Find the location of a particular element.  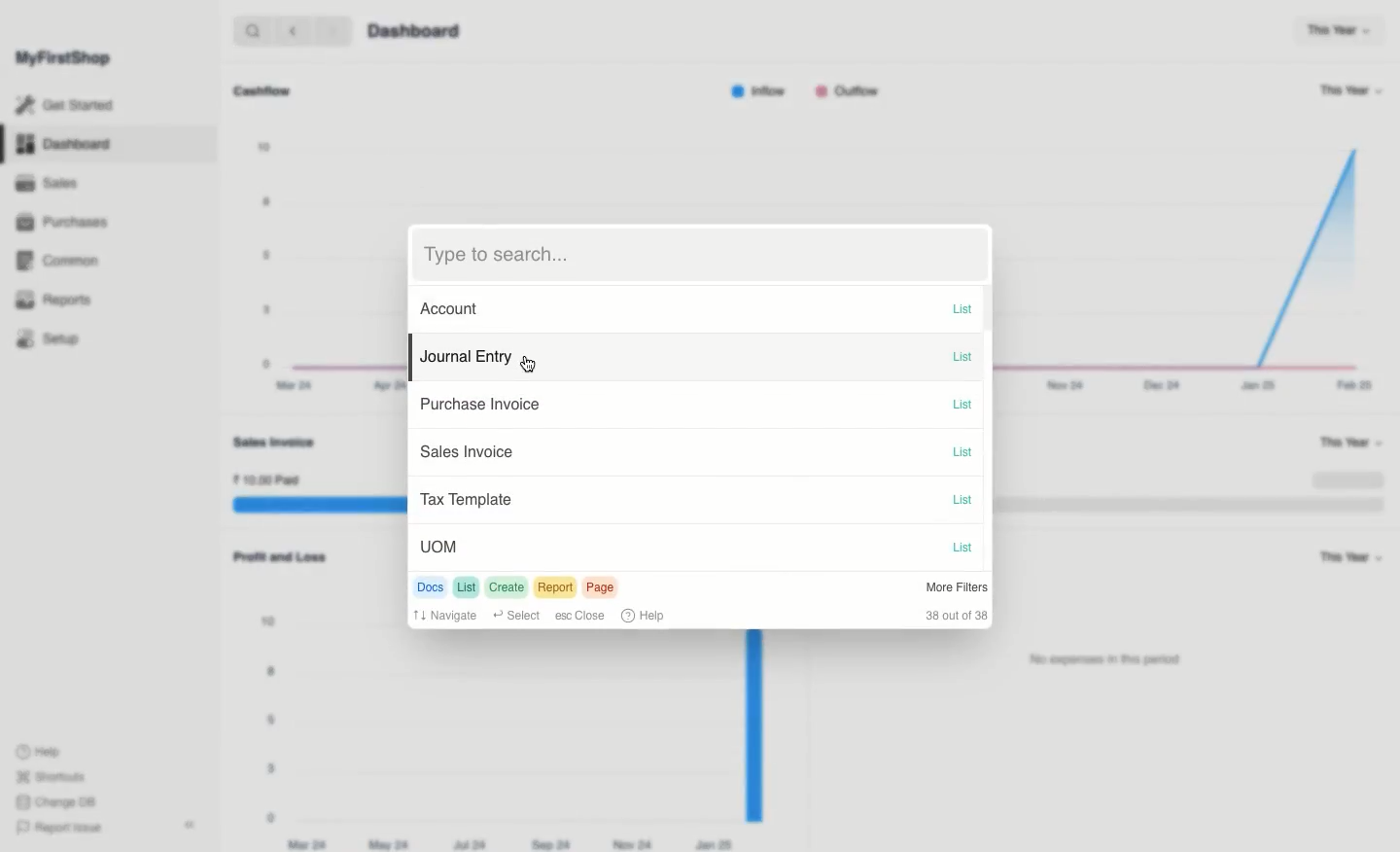

38 out of 38 is located at coordinates (957, 614).